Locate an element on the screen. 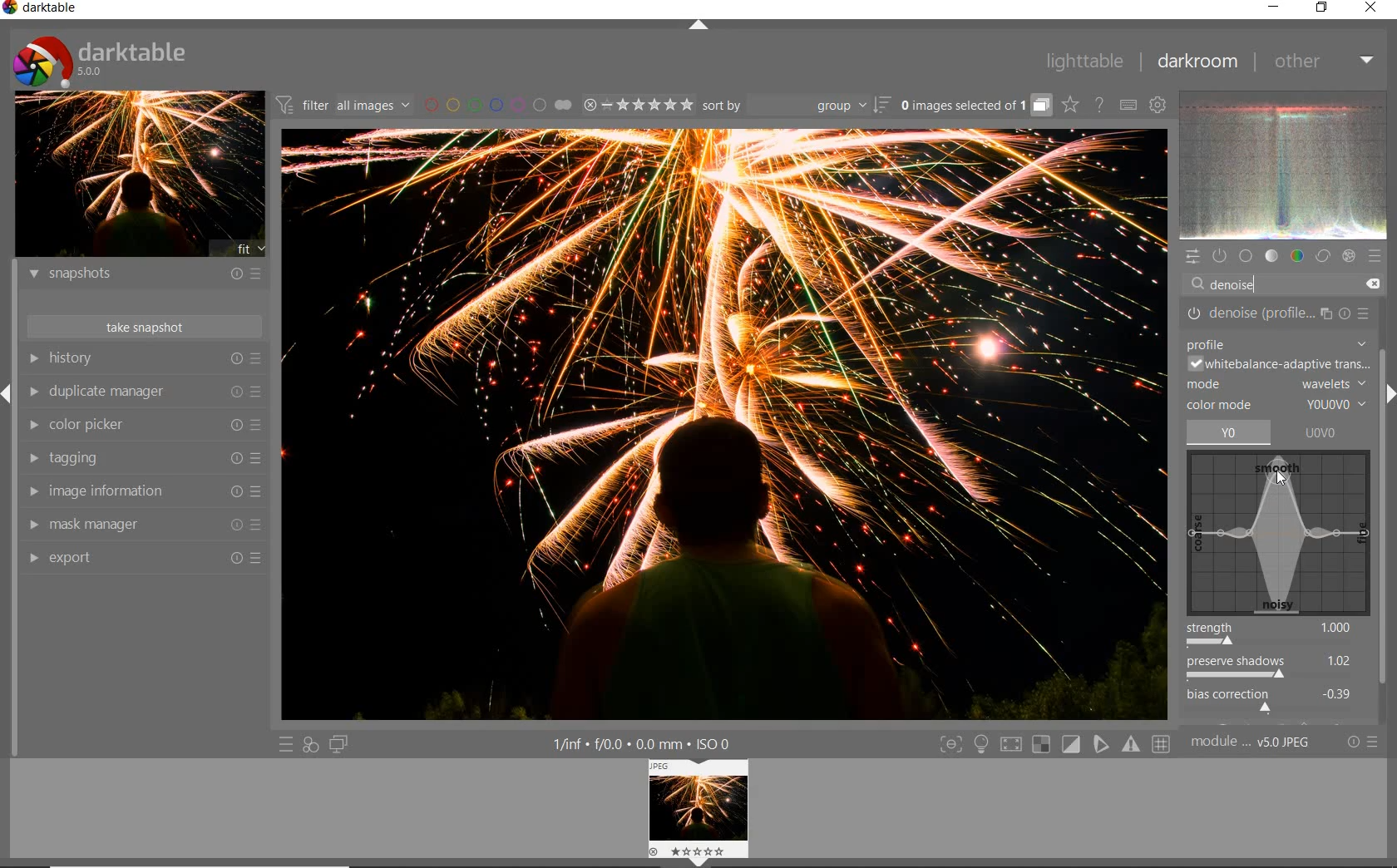 This screenshot has height=868, width=1397. click to change overlays on thumbnails is located at coordinates (1069, 104).